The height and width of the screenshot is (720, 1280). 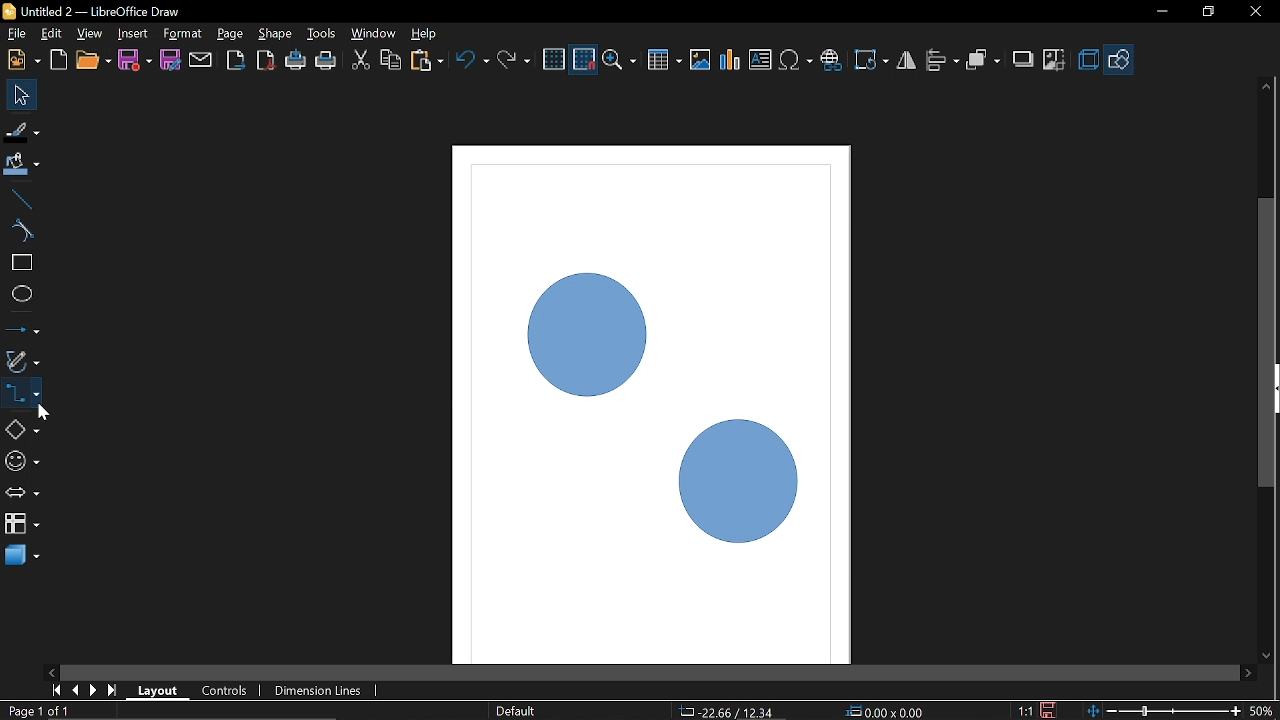 I want to click on Attach, so click(x=201, y=59).